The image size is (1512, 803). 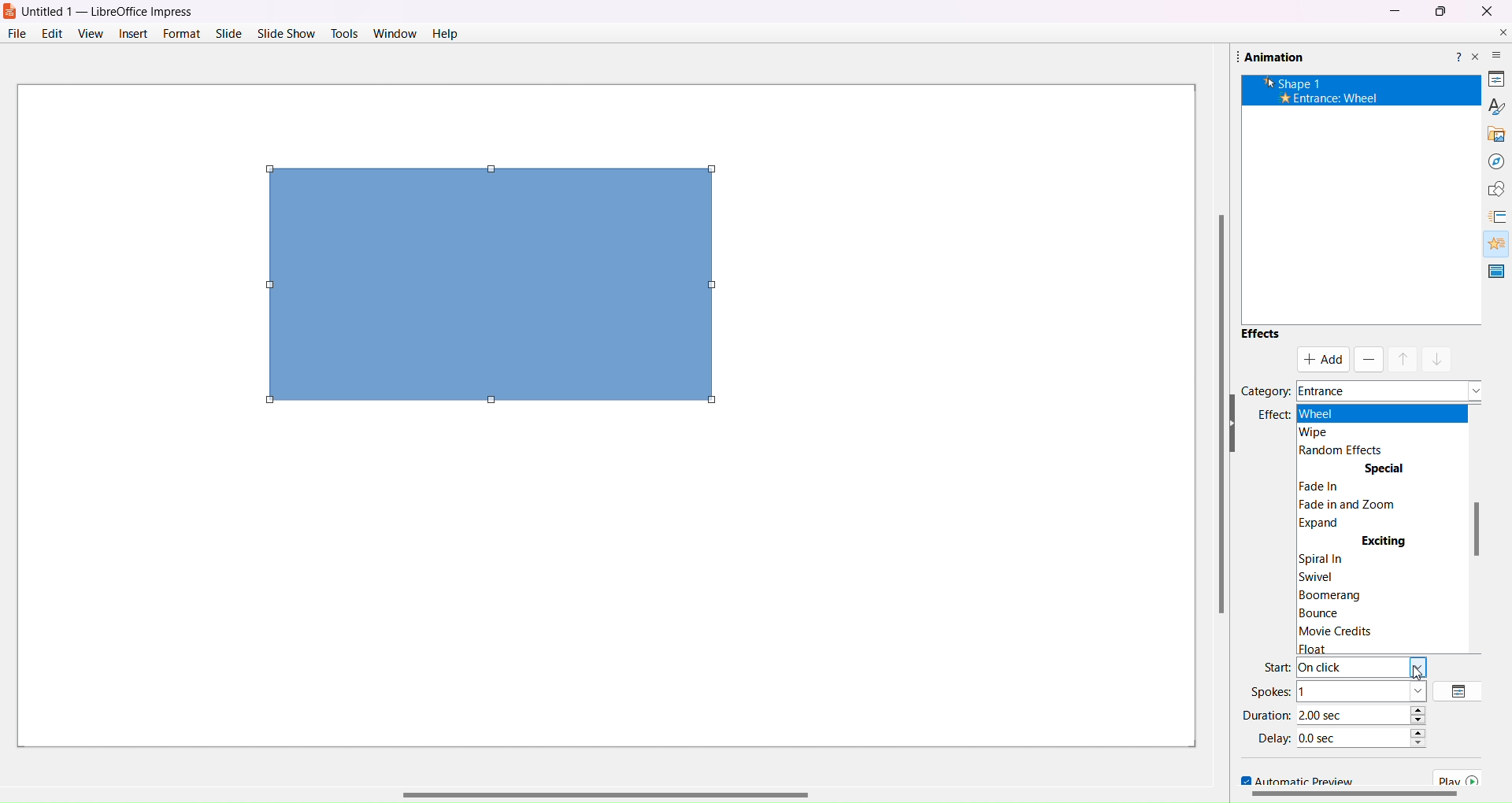 What do you see at coordinates (1389, 390) in the screenshot?
I see `Names of Category` at bounding box center [1389, 390].